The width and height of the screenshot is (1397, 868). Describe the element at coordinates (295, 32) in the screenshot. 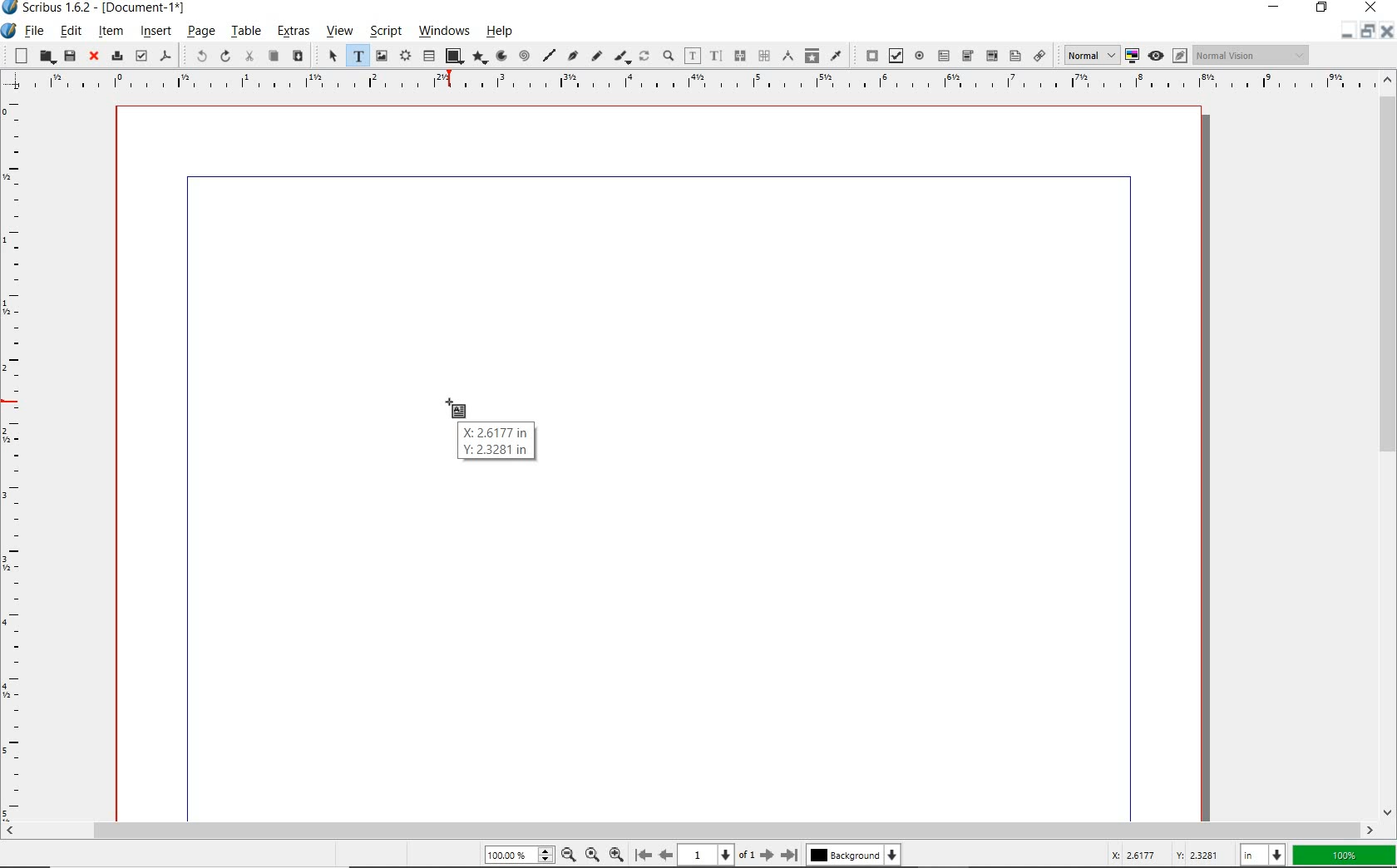

I see `extras` at that location.